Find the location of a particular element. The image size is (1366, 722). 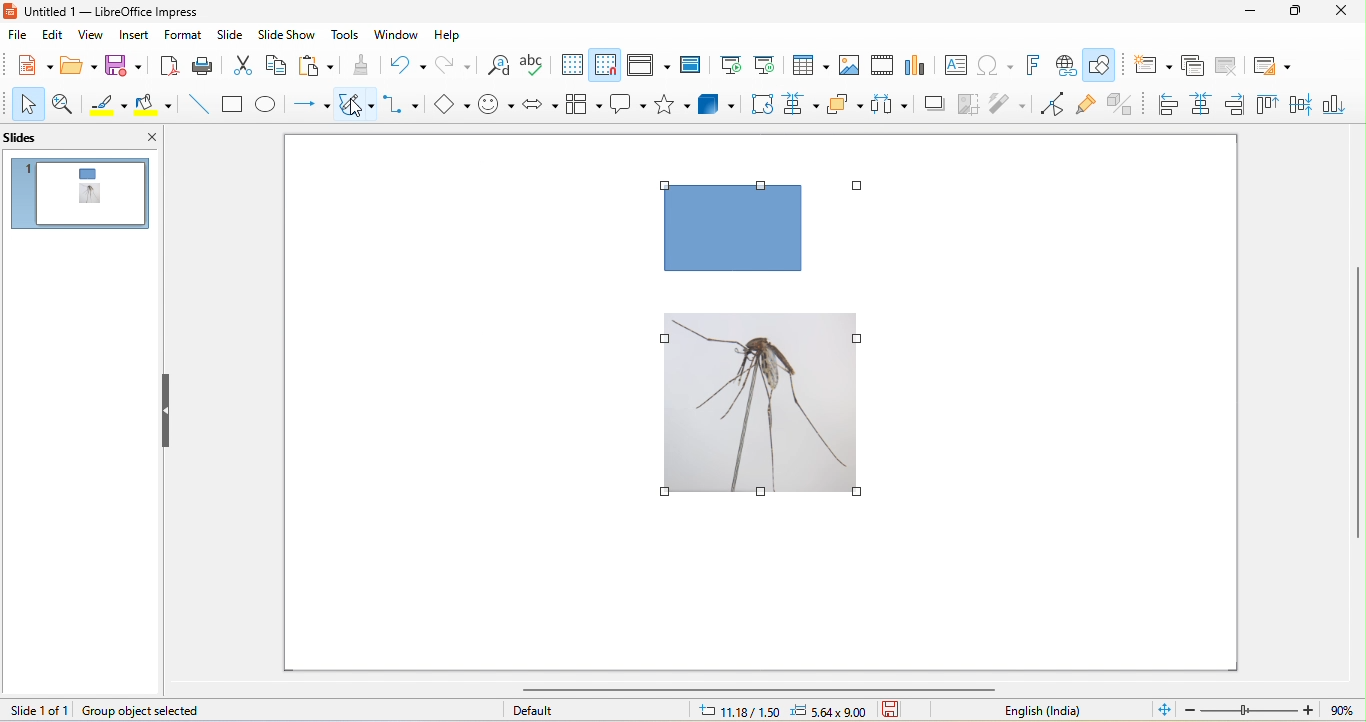

toggle extrusion is located at coordinates (1127, 104).